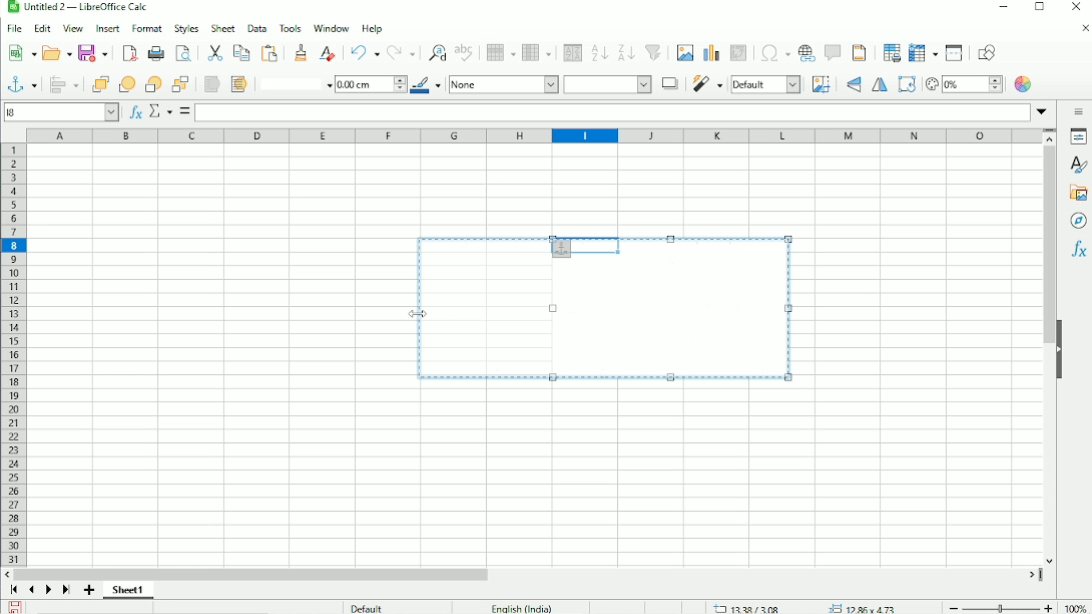 The image size is (1092, 614). Describe the element at coordinates (62, 111) in the screenshot. I see `Current cell` at that location.